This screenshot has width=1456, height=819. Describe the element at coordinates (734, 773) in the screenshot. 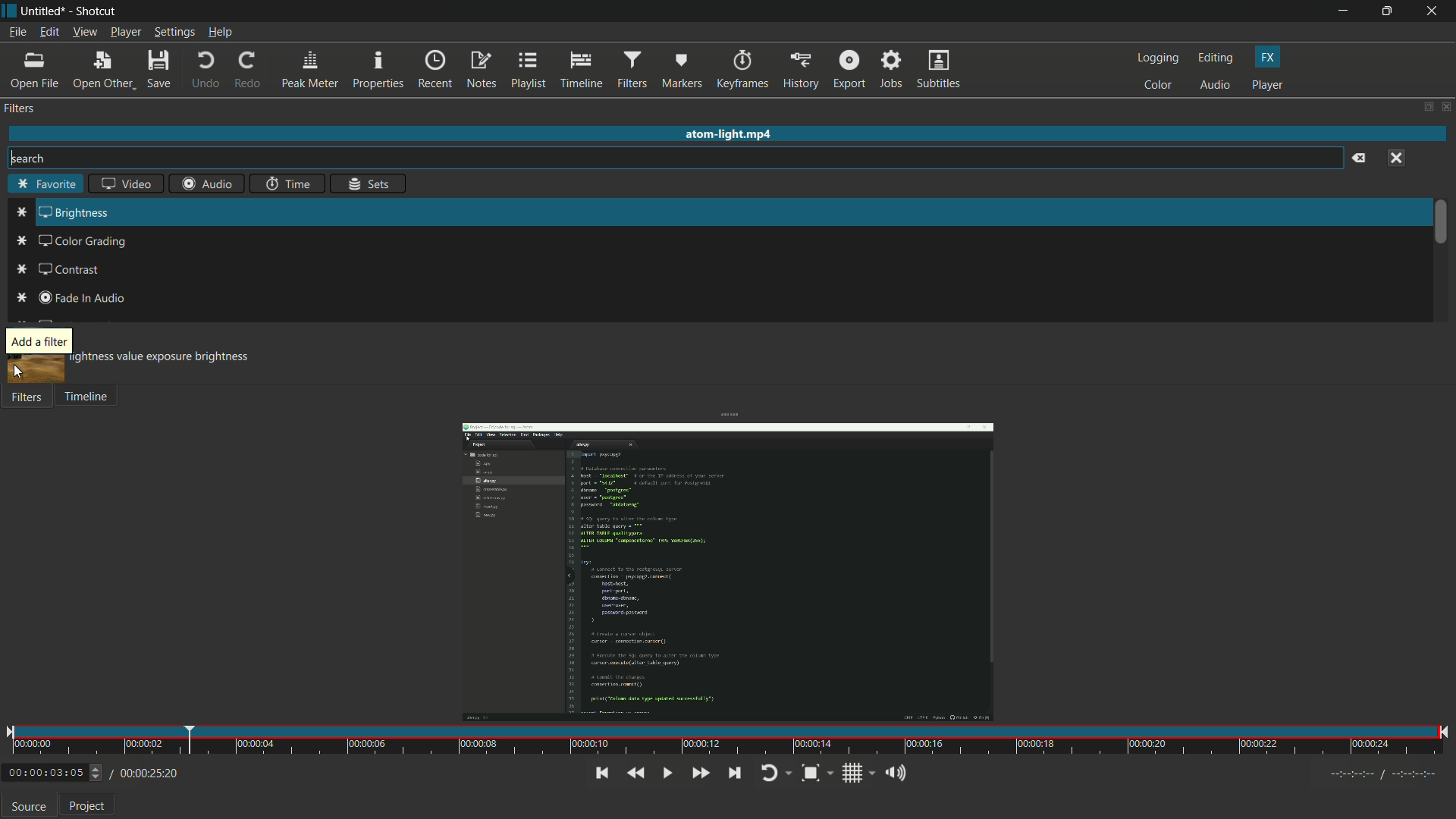

I see `skip to the next point` at that location.